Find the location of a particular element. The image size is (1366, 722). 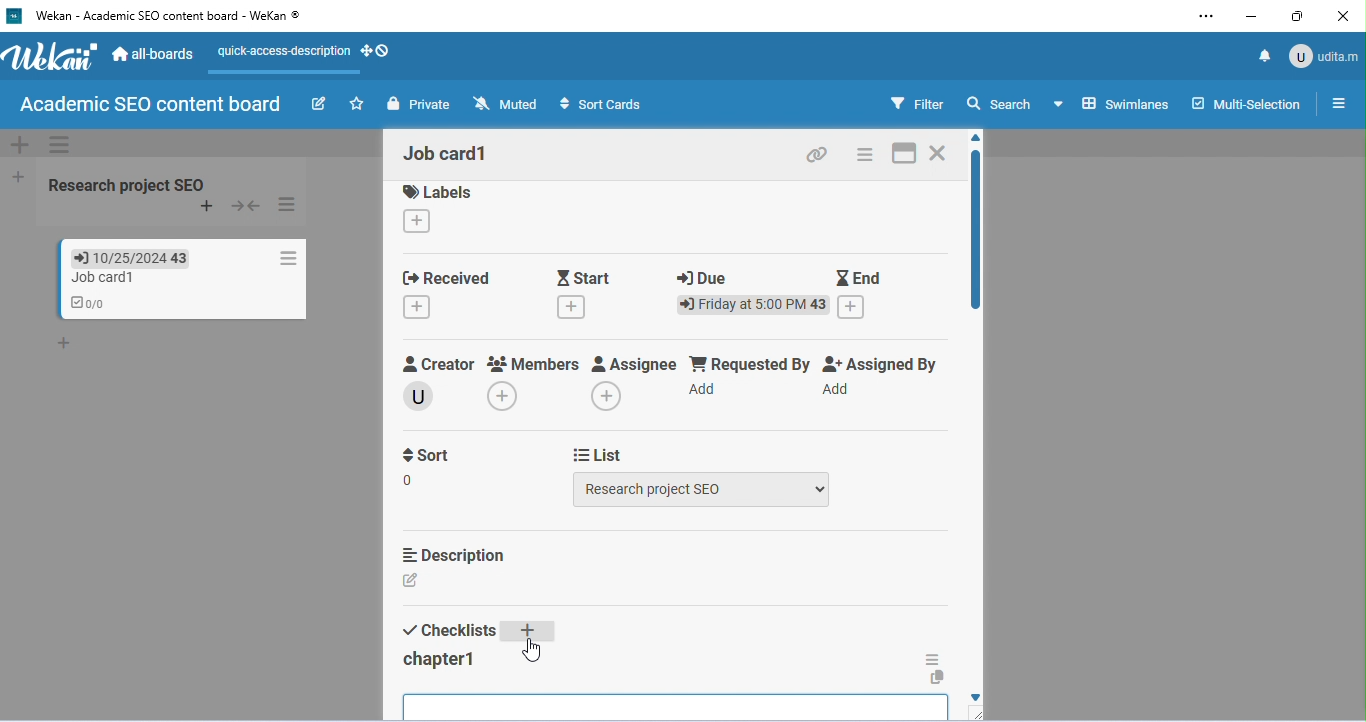

collapse is located at coordinates (248, 206).